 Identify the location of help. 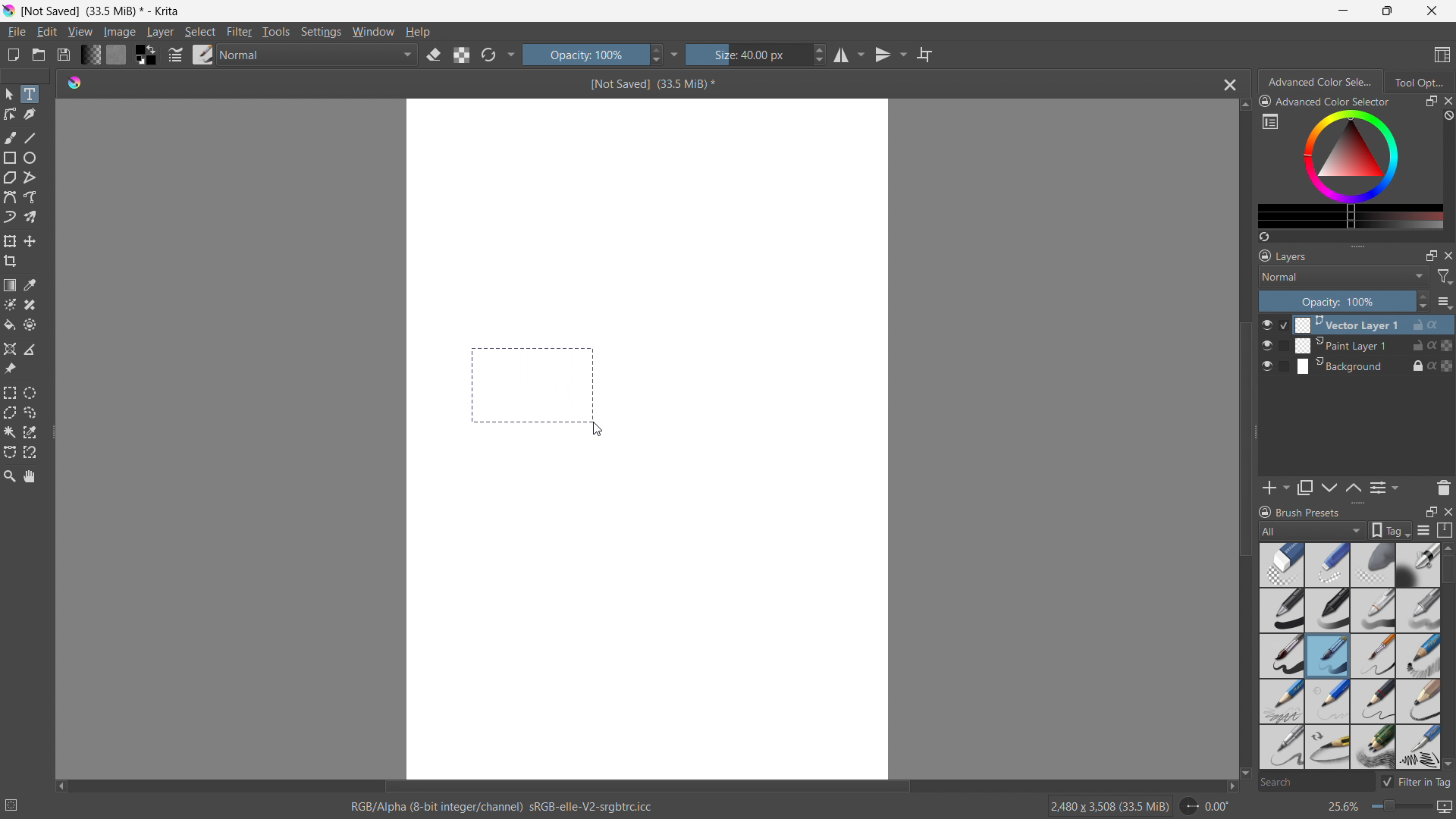
(418, 31).